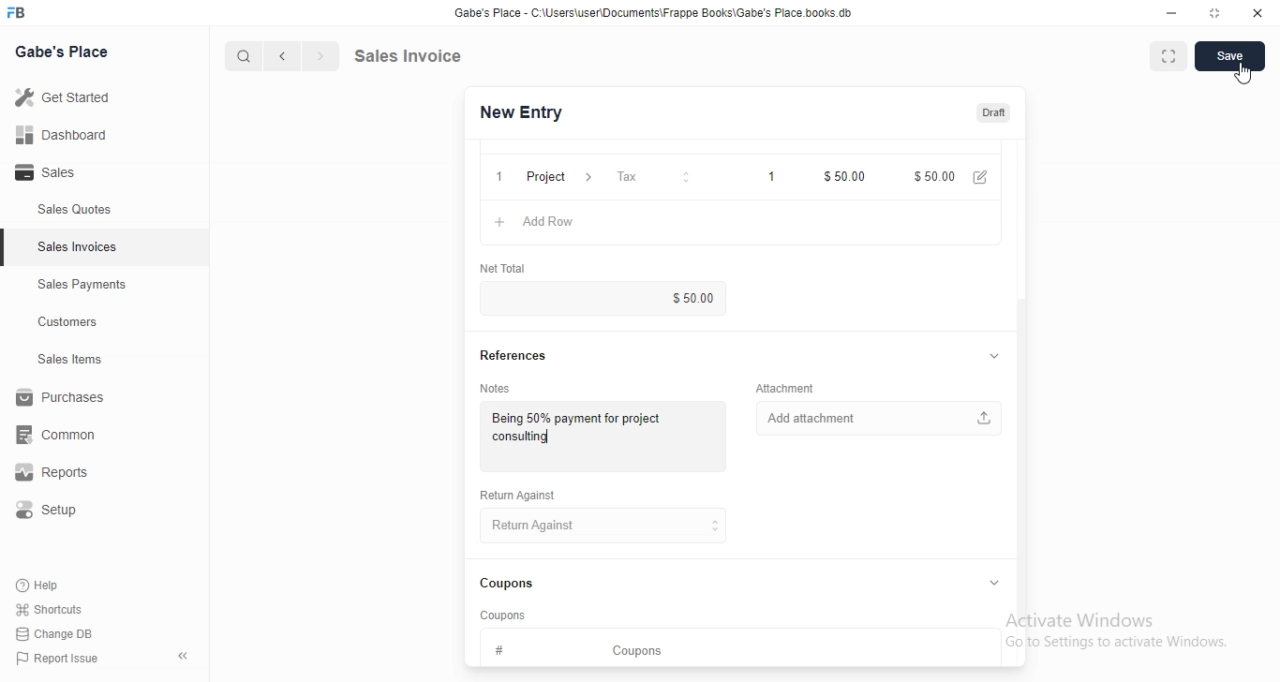 This screenshot has height=682, width=1280. What do you see at coordinates (1216, 15) in the screenshot?
I see `maximize` at bounding box center [1216, 15].